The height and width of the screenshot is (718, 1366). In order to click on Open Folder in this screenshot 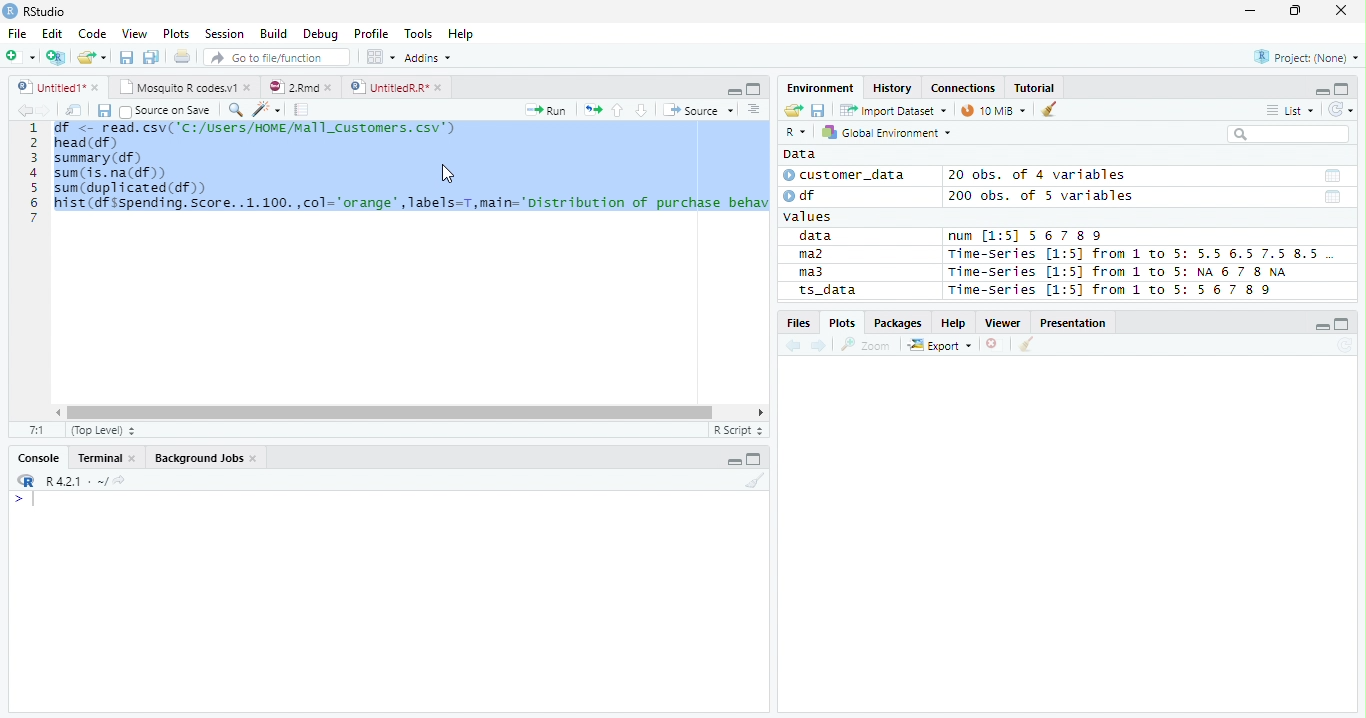, I will do `click(93, 56)`.